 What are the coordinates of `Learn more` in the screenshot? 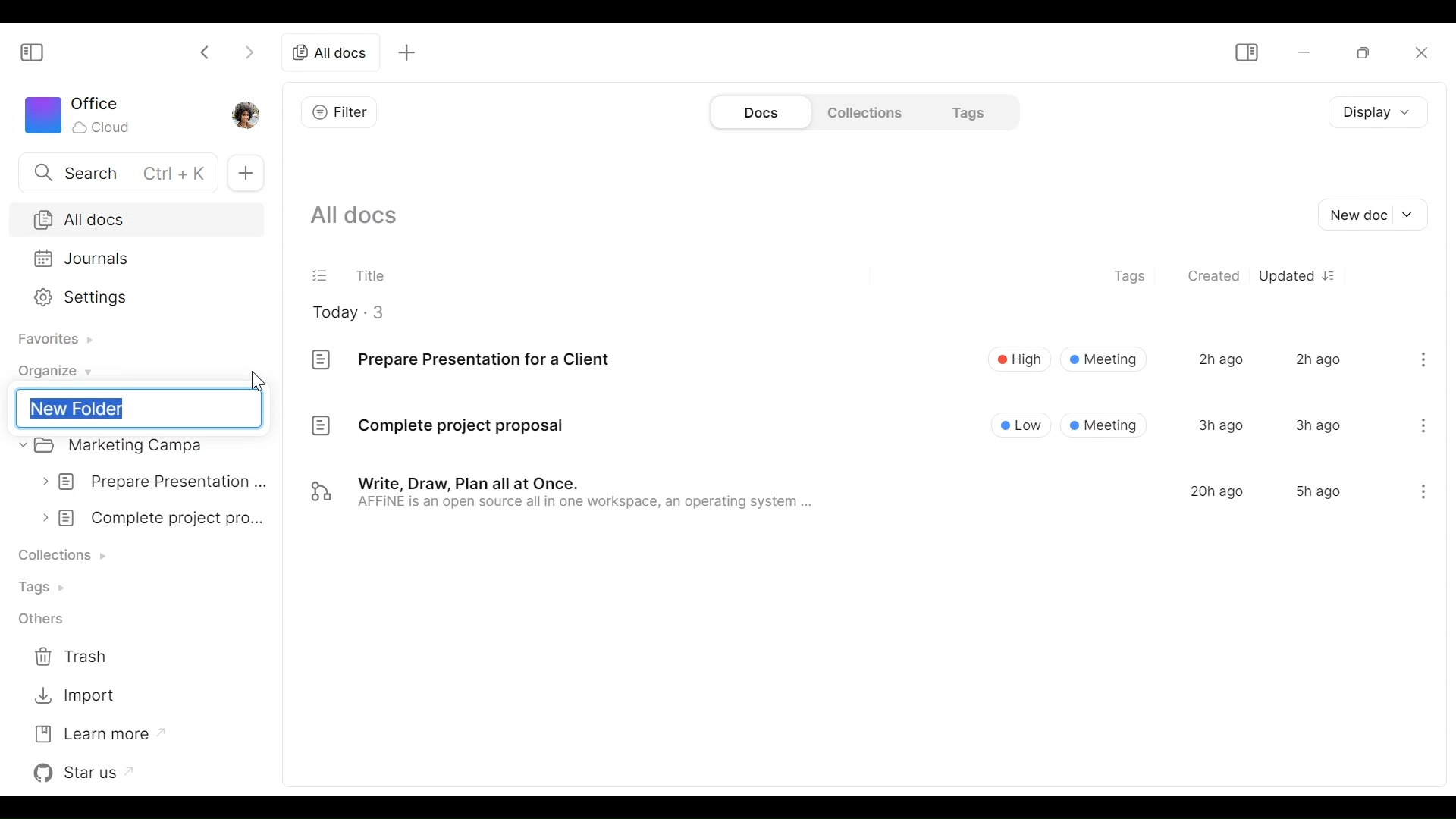 It's located at (94, 733).